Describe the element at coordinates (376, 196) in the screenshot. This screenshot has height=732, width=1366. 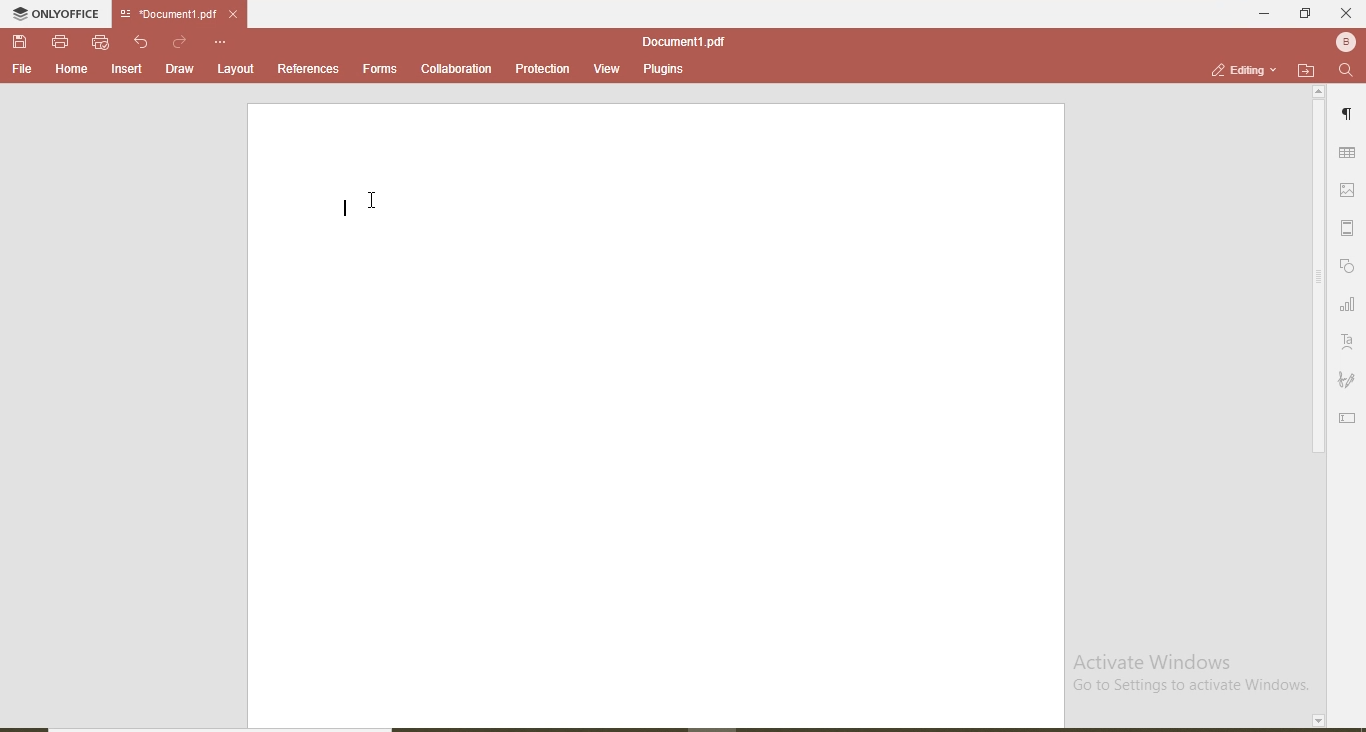
I see `cursor` at that location.